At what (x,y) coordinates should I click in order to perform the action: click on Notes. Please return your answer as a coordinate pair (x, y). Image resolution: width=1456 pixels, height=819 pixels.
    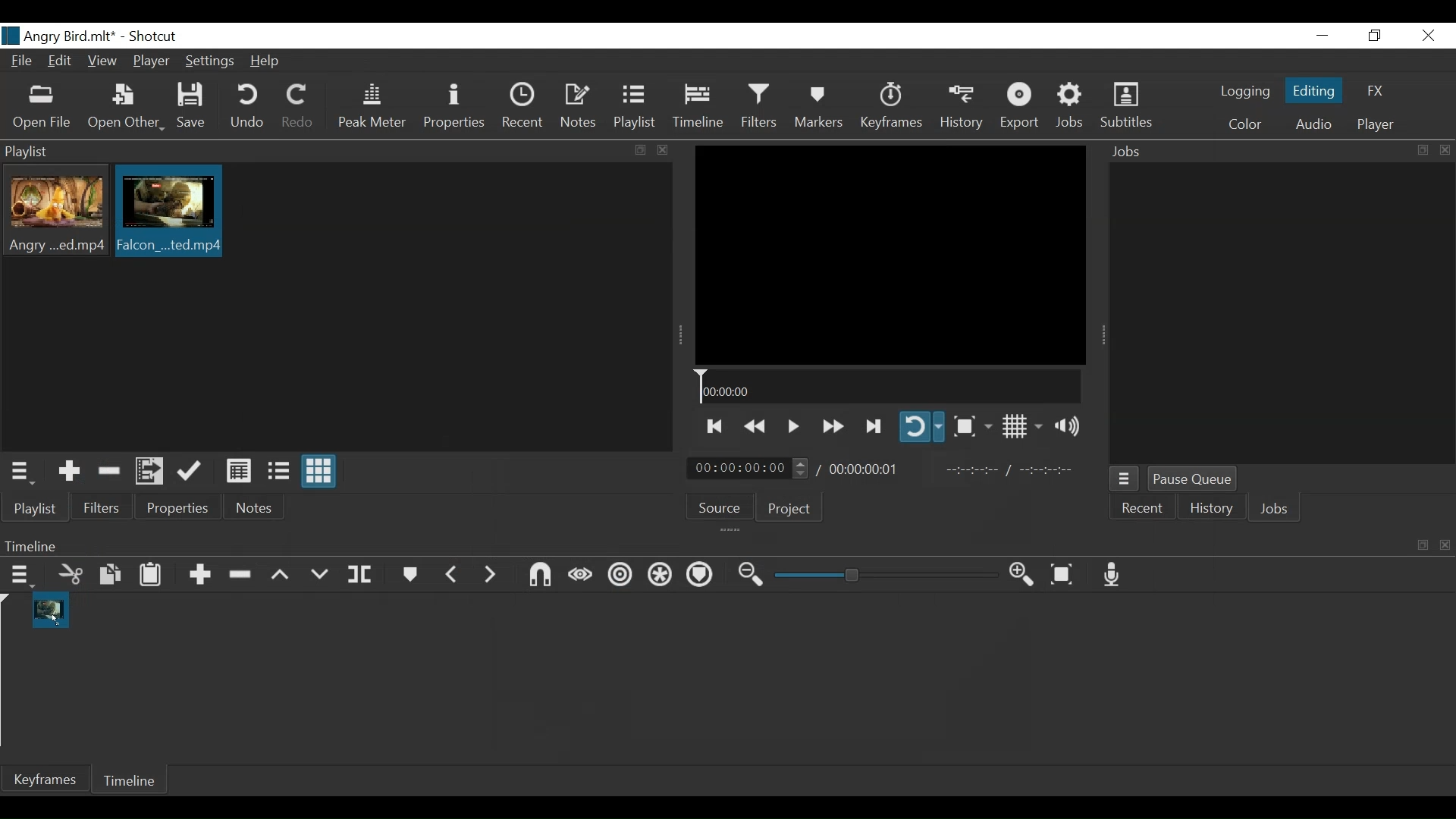
    Looking at the image, I should click on (256, 507).